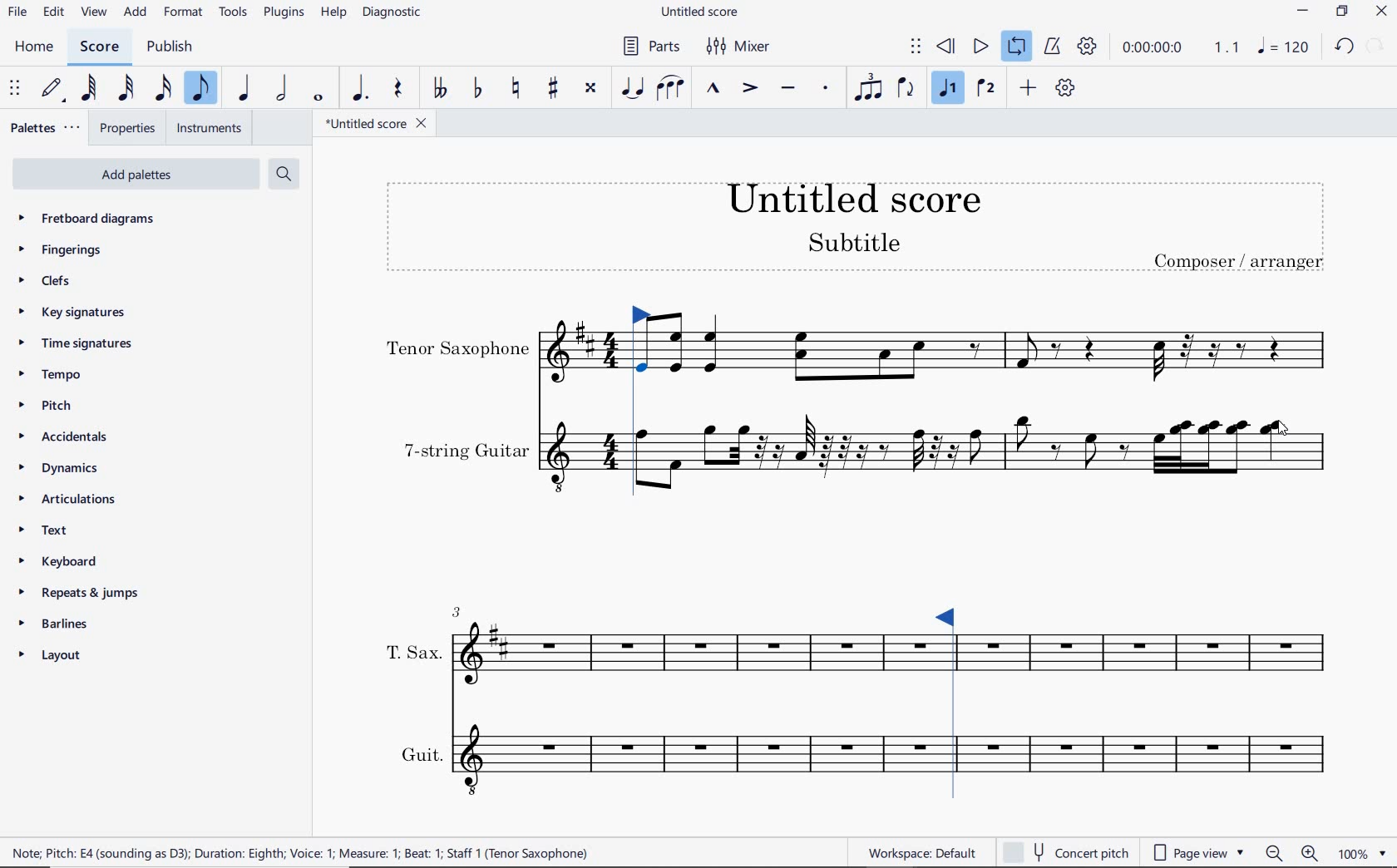 This screenshot has height=868, width=1397. What do you see at coordinates (1284, 47) in the screenshot?
I see `NOTE` at bounding box center [1284, 47].